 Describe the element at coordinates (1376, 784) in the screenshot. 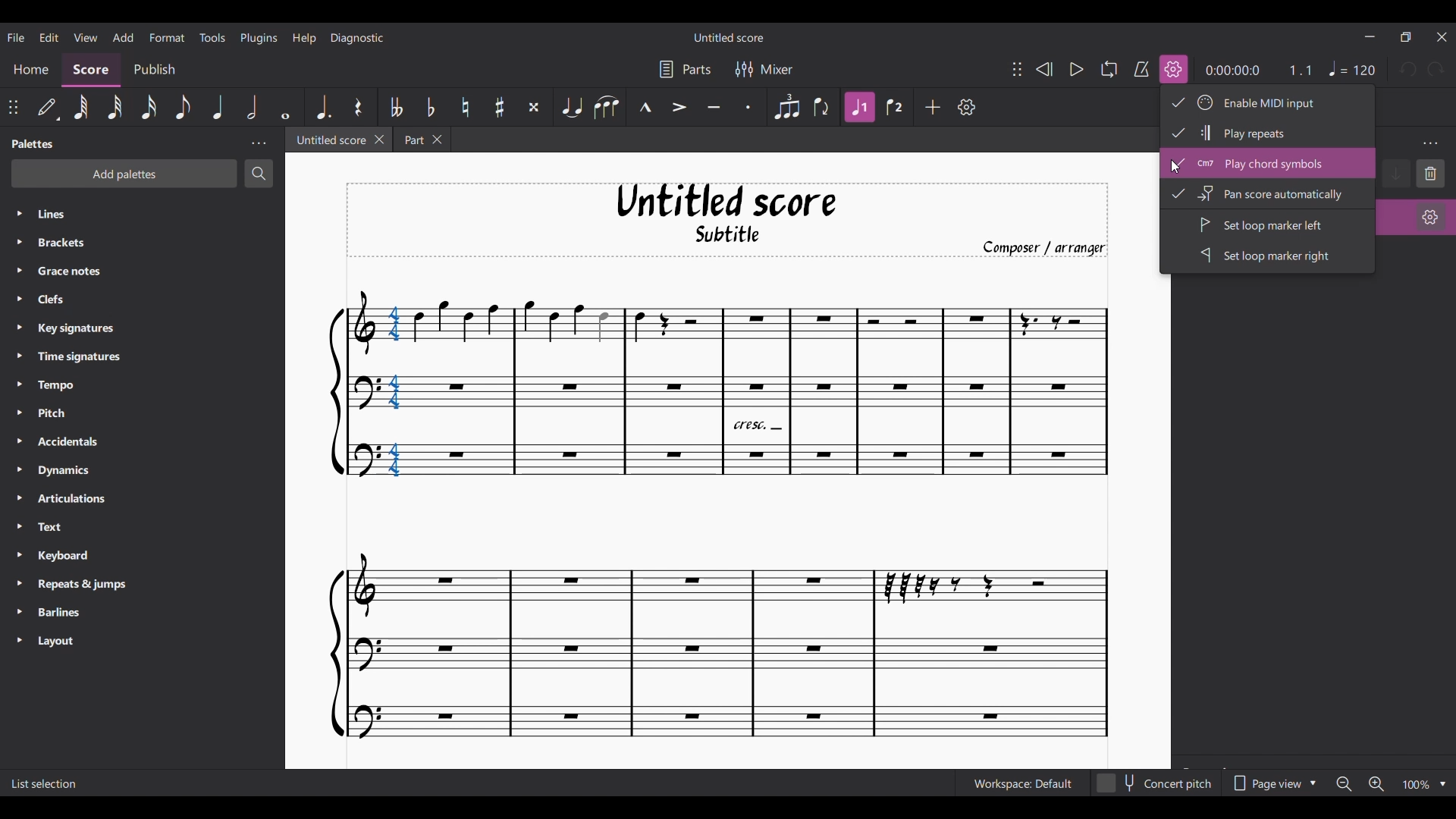

I see `Zoom in` at that location.